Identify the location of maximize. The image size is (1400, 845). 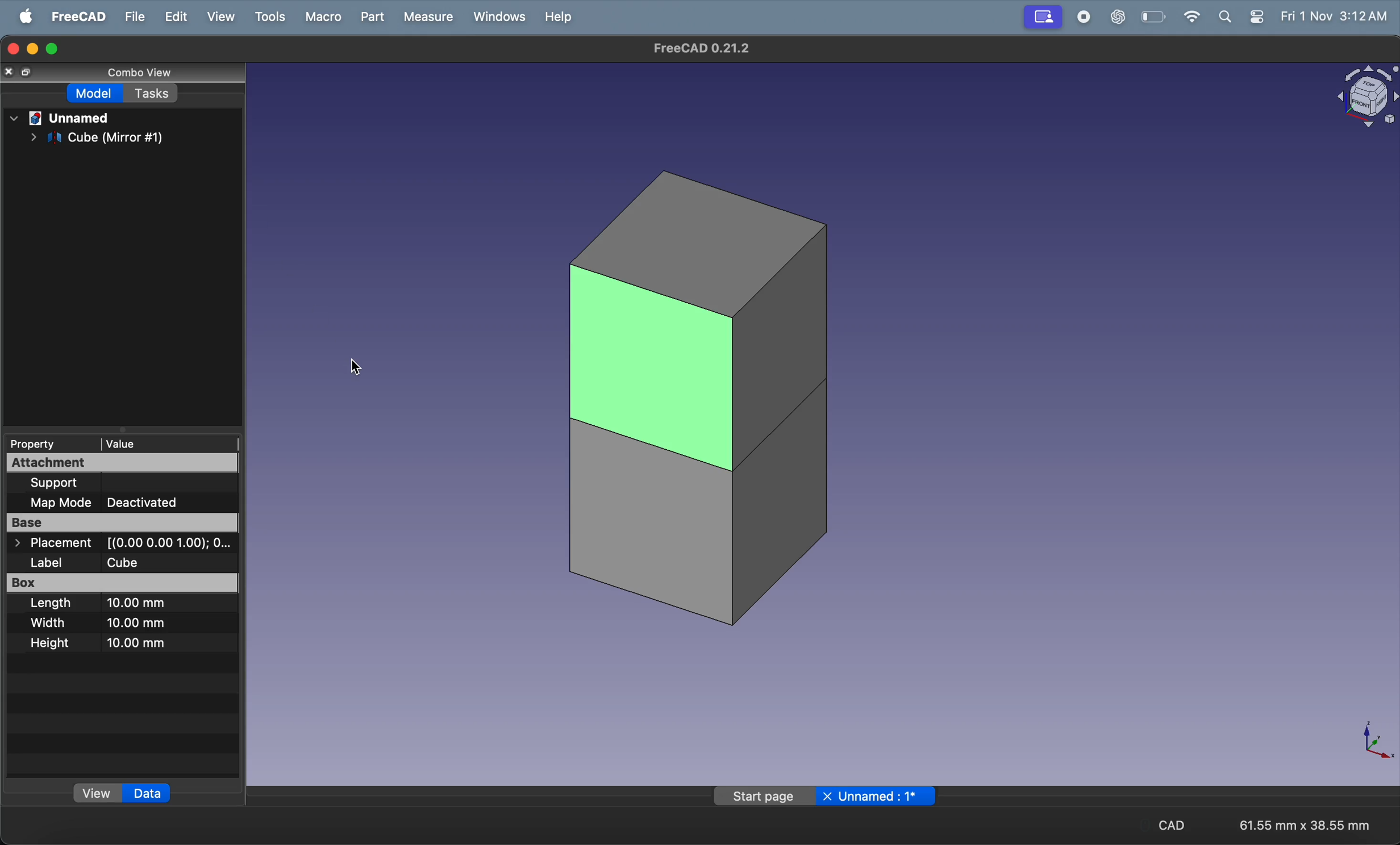
(52, 49).